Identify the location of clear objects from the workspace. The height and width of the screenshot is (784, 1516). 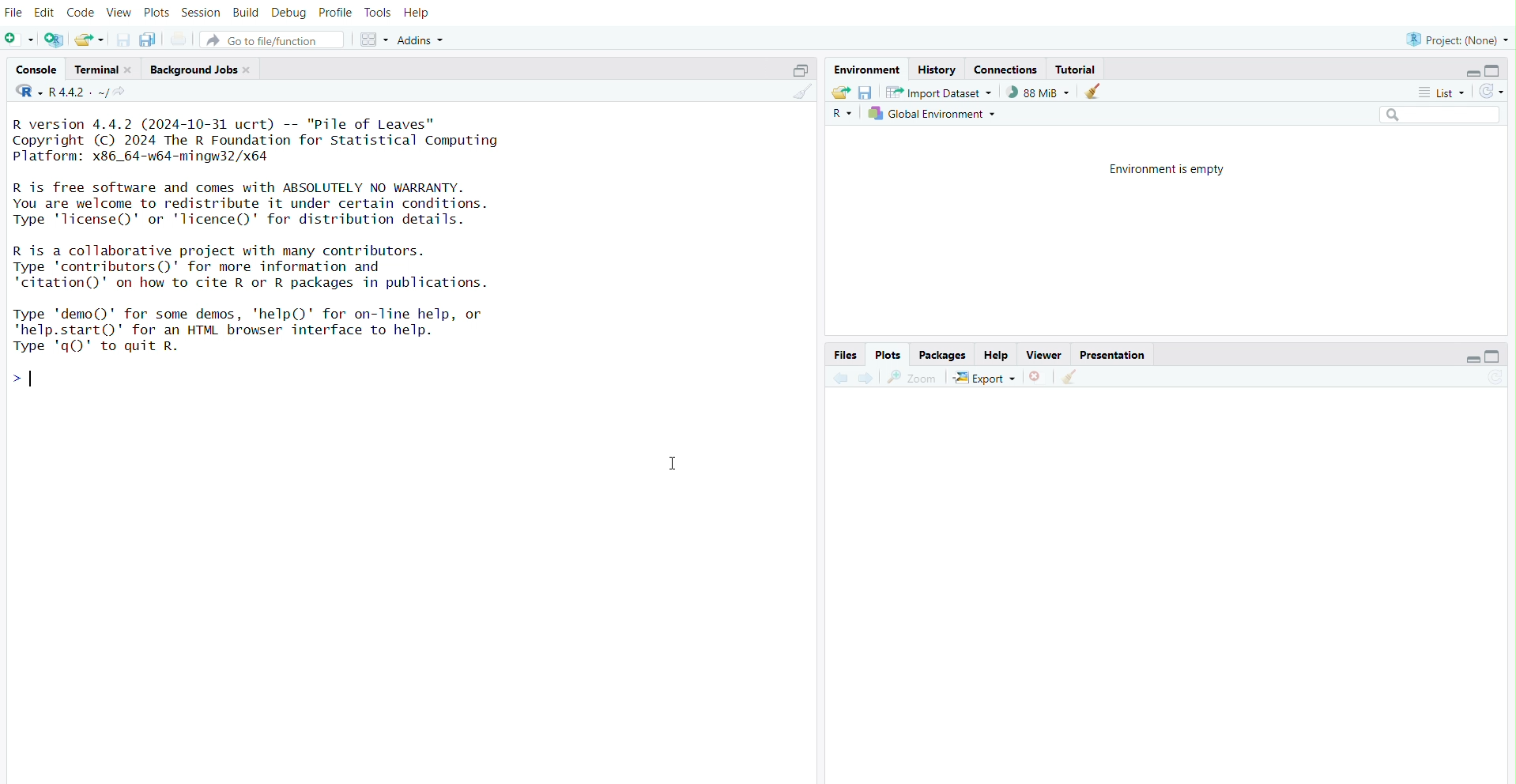
(1095, 92).